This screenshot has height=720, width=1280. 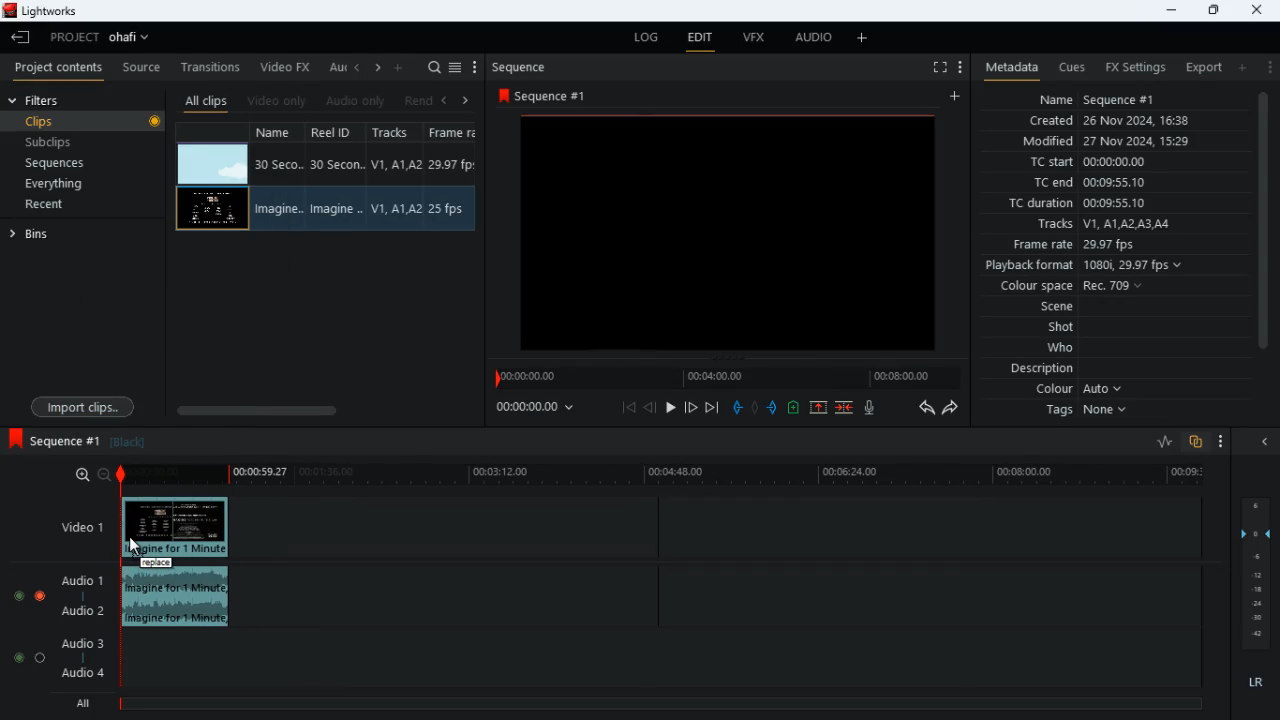 What do you see at coordinates (1259, 573) in the screenshot?
I see `layers` at bounding box center [1259, 573].